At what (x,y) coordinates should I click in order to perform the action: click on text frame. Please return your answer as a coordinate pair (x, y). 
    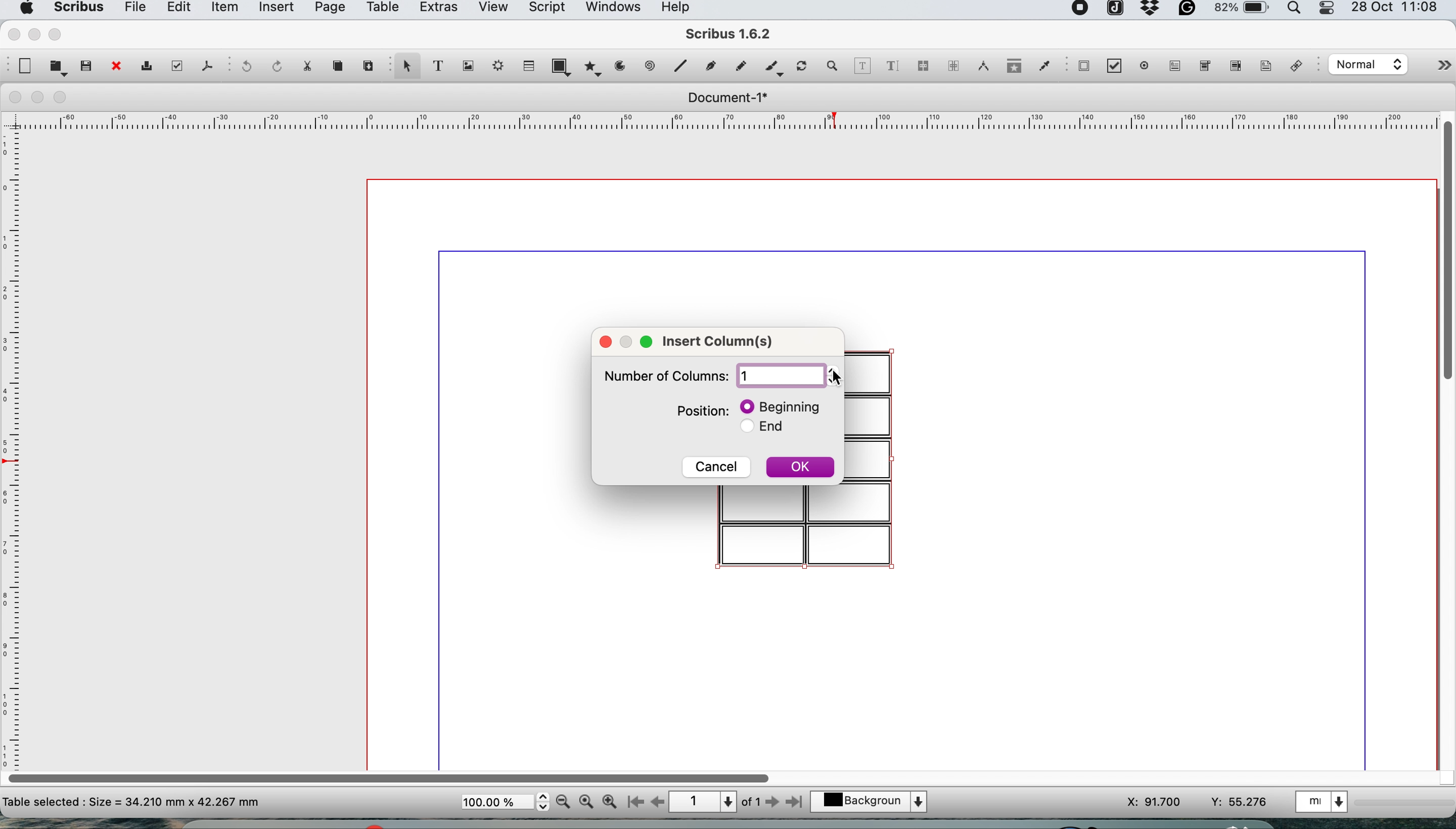
    Looking at the image, I should click on (437, 68).